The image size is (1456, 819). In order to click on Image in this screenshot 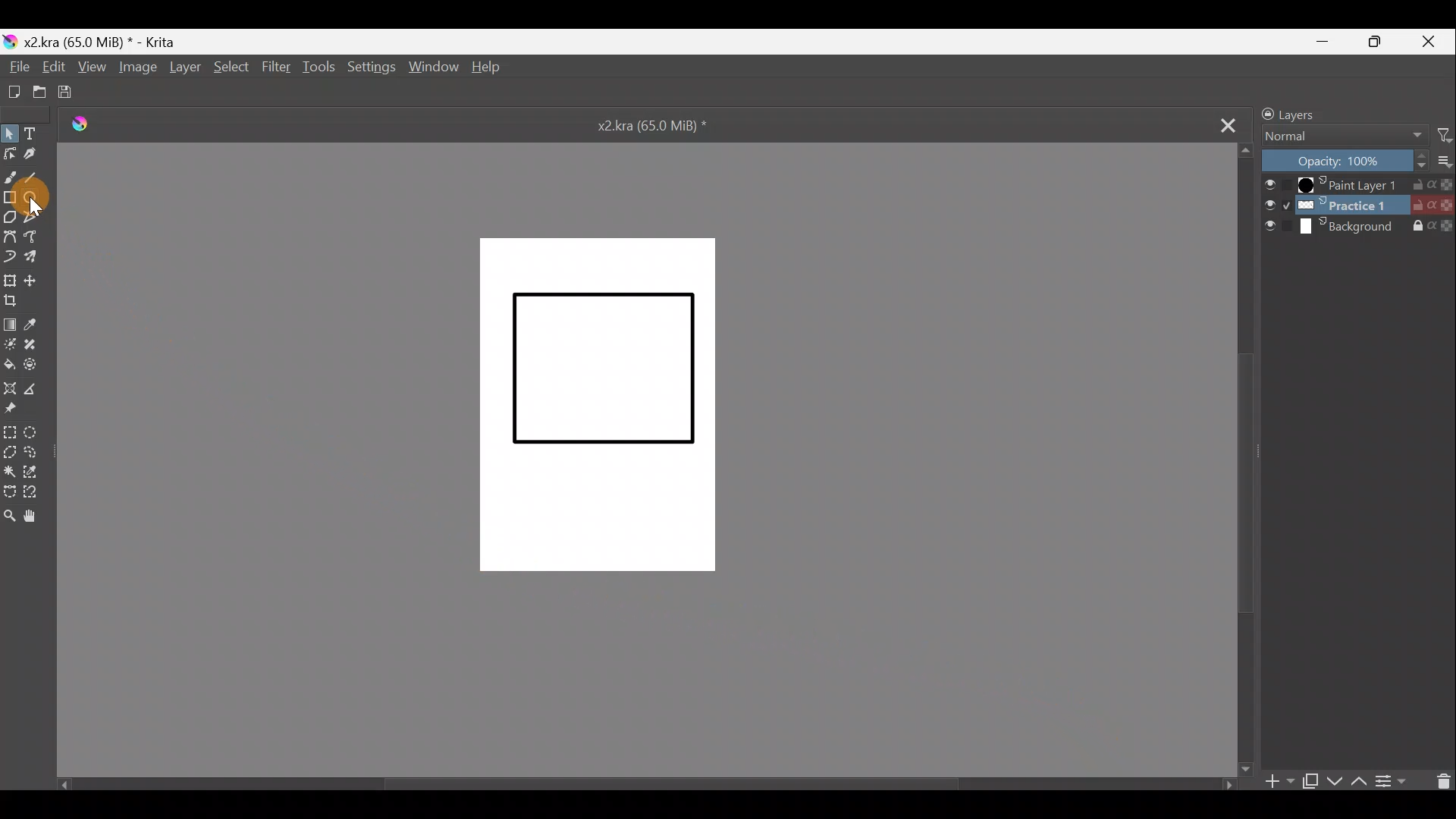, I will do `click(139, 69)`.